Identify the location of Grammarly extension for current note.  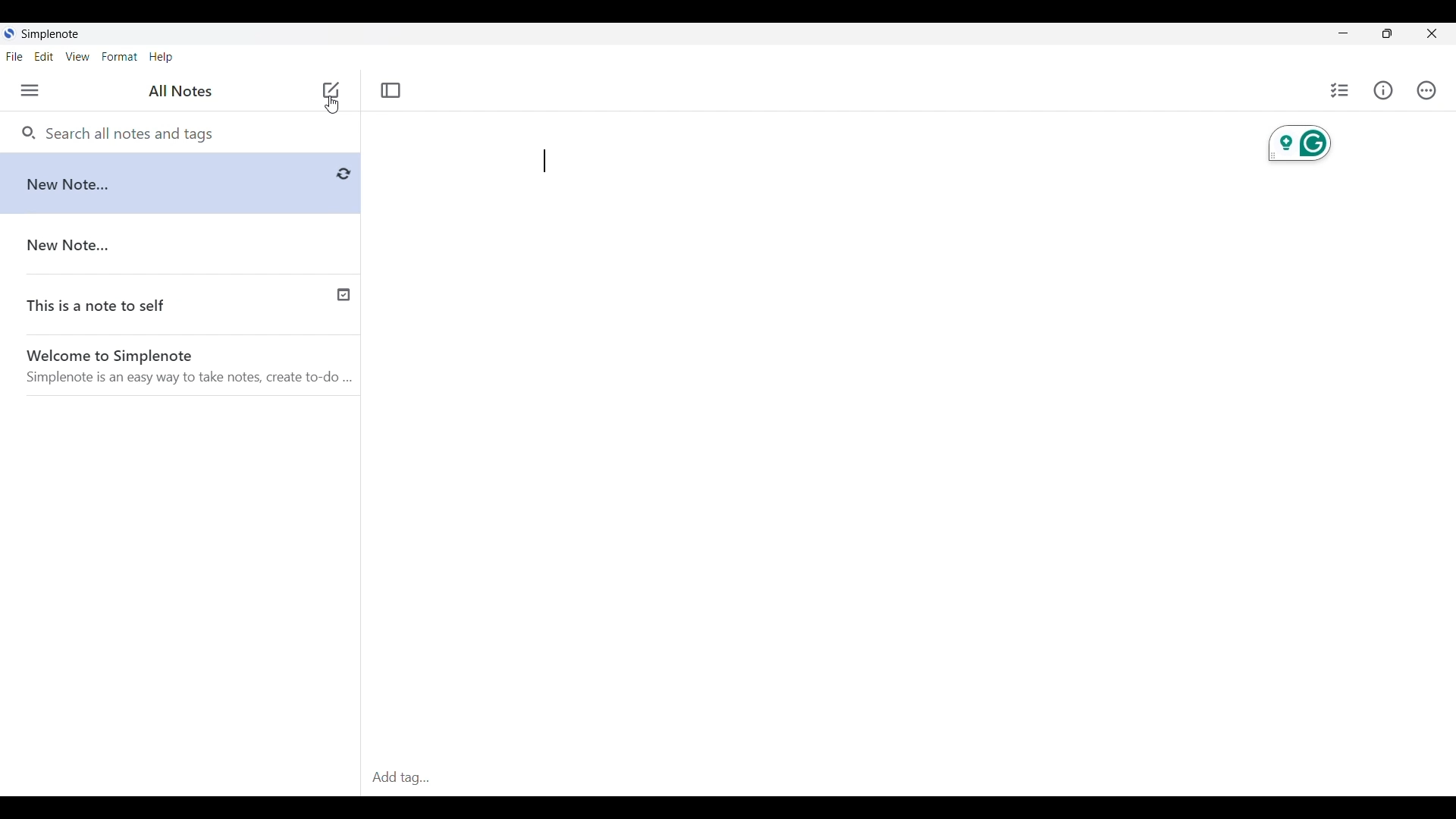
(1300, 144).